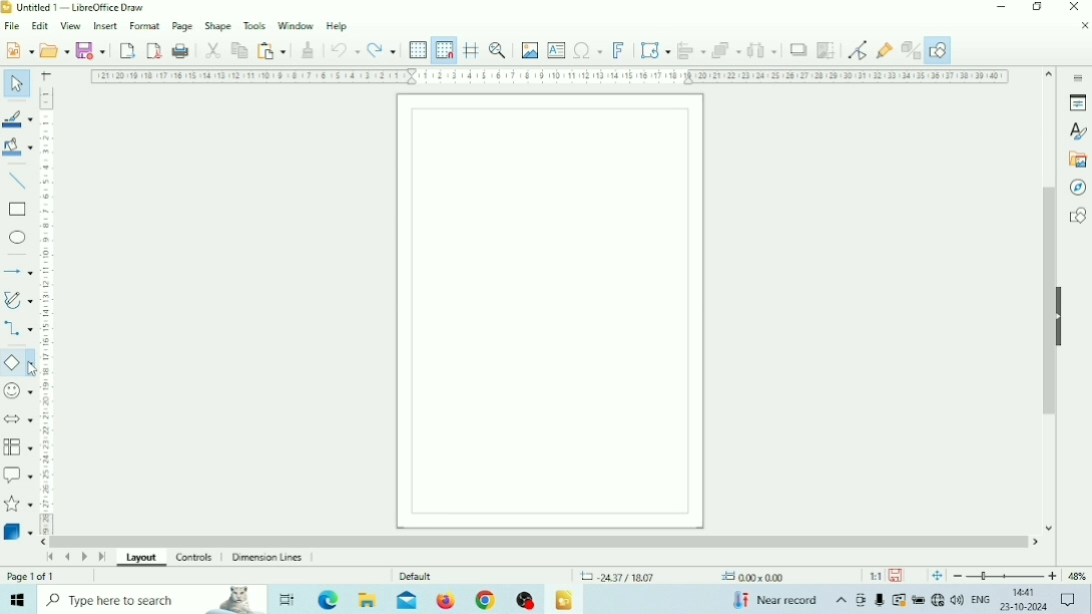 Image resolution: width=1092 pixels, height=614 pixels. What do you see at coordinates (416, 576) in the screenshot?
I see `Default` at bounding box center [416, 576].